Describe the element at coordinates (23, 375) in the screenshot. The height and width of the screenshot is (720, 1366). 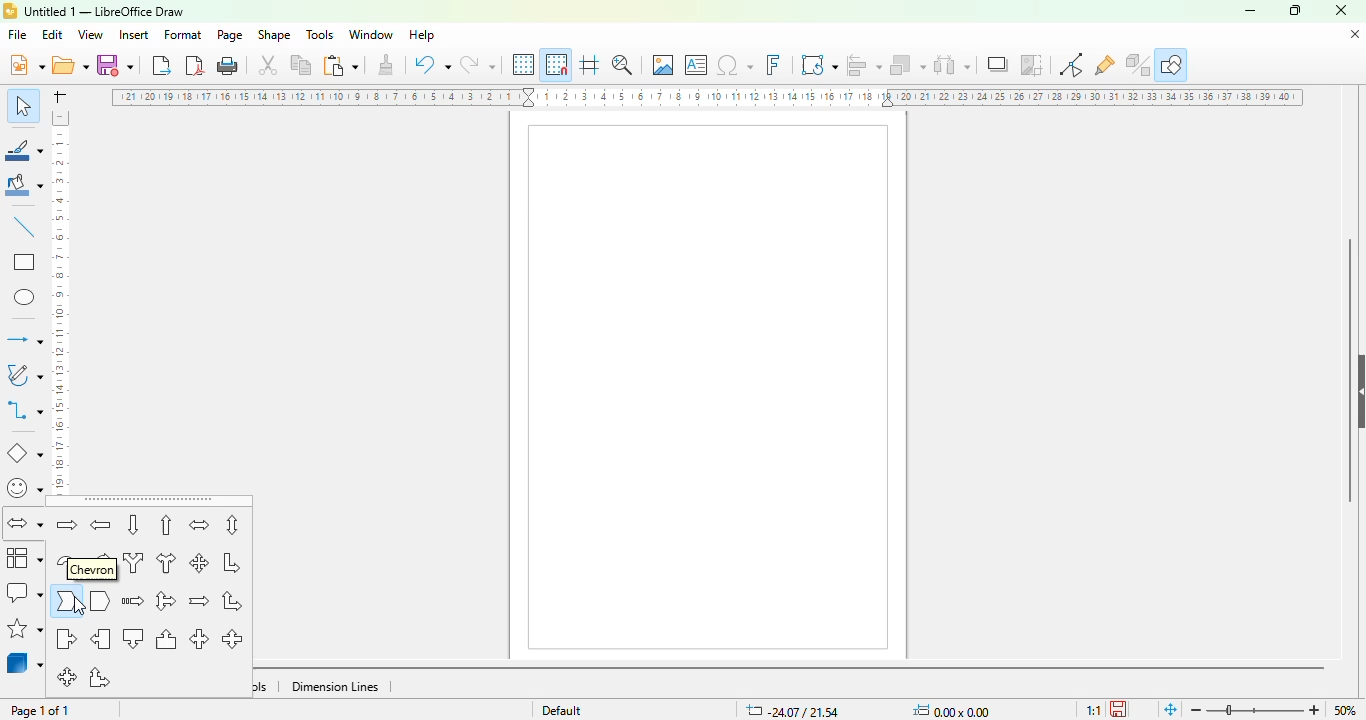
I see `curves and polygons` at that location.